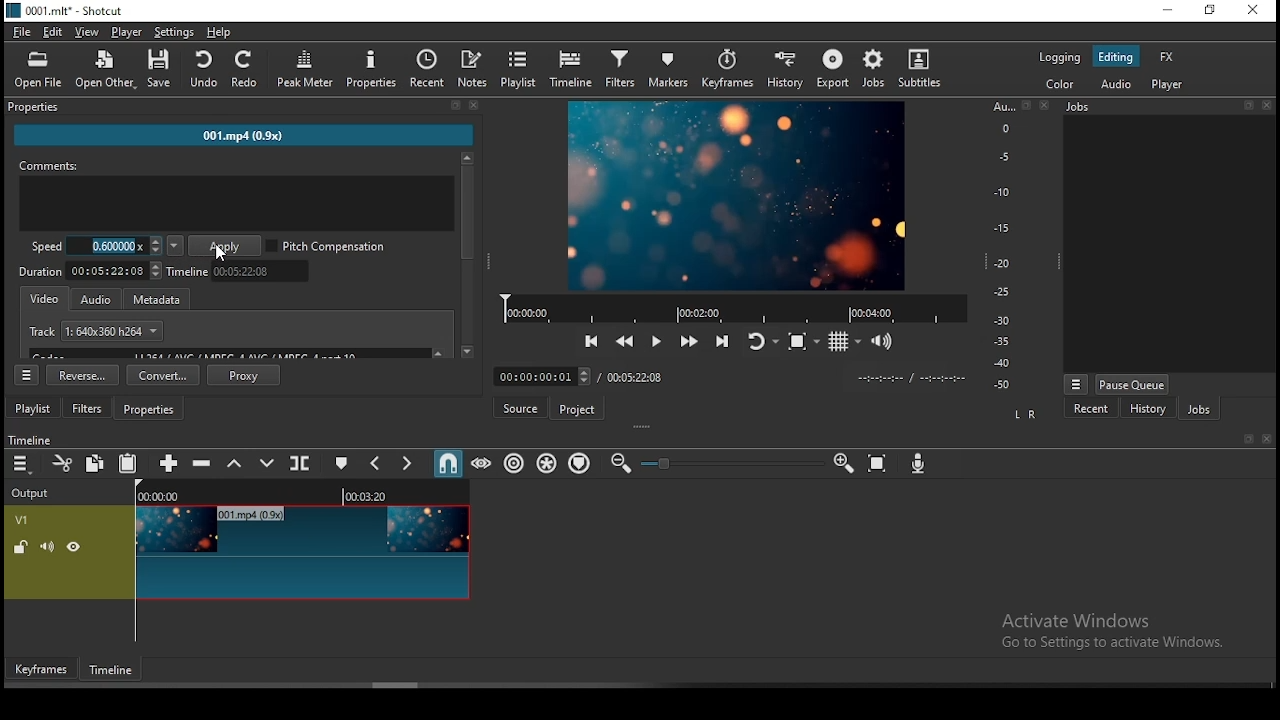 The width and height of the screenshot is (1280, 720). I want to click on output, so click(38, 493).